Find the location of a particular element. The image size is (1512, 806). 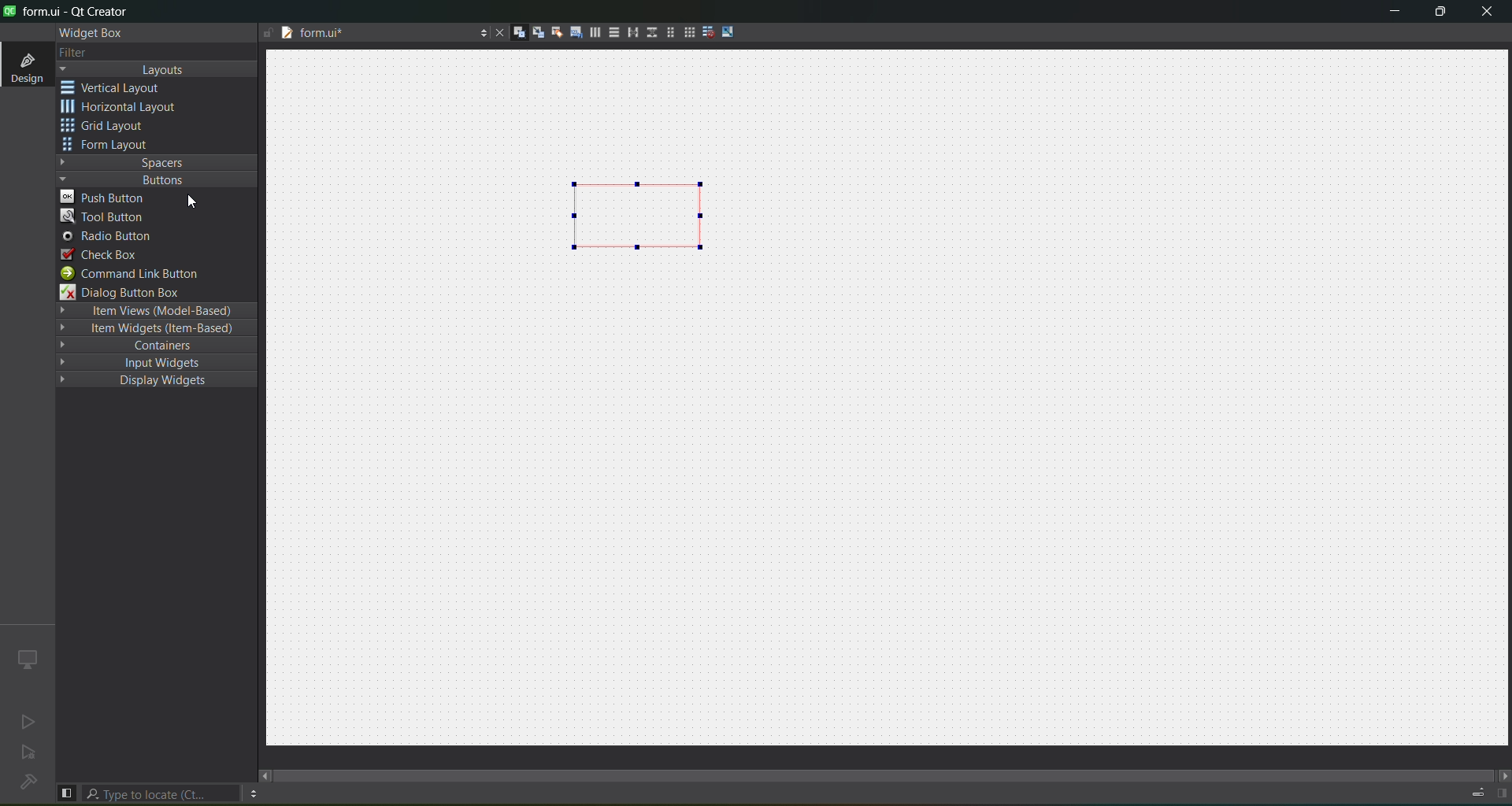

no active is located at coordinates (24, 723).